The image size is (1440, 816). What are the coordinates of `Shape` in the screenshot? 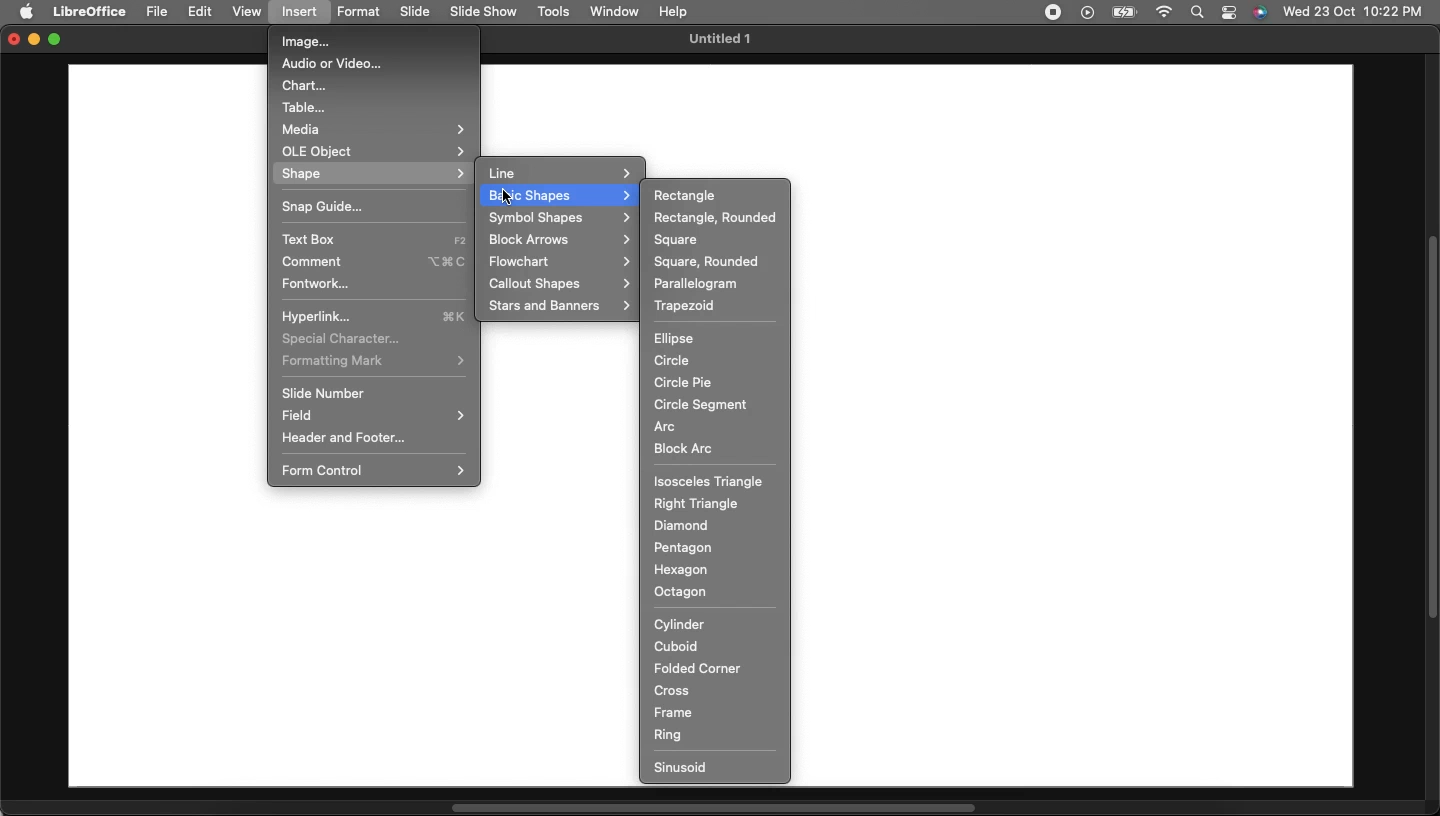 It's located at (374, 173).